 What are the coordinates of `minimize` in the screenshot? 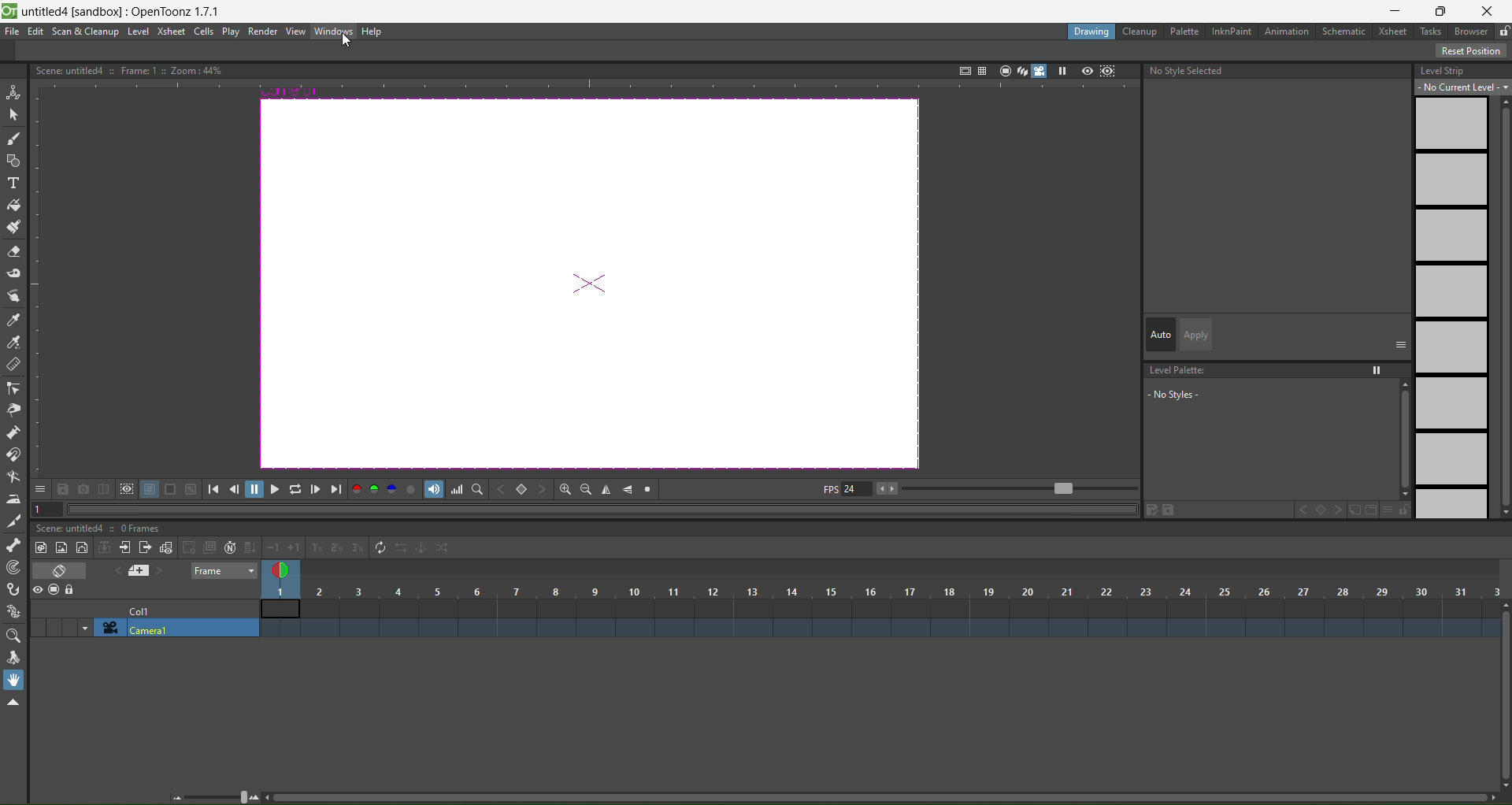 It's located at (1394, 11).